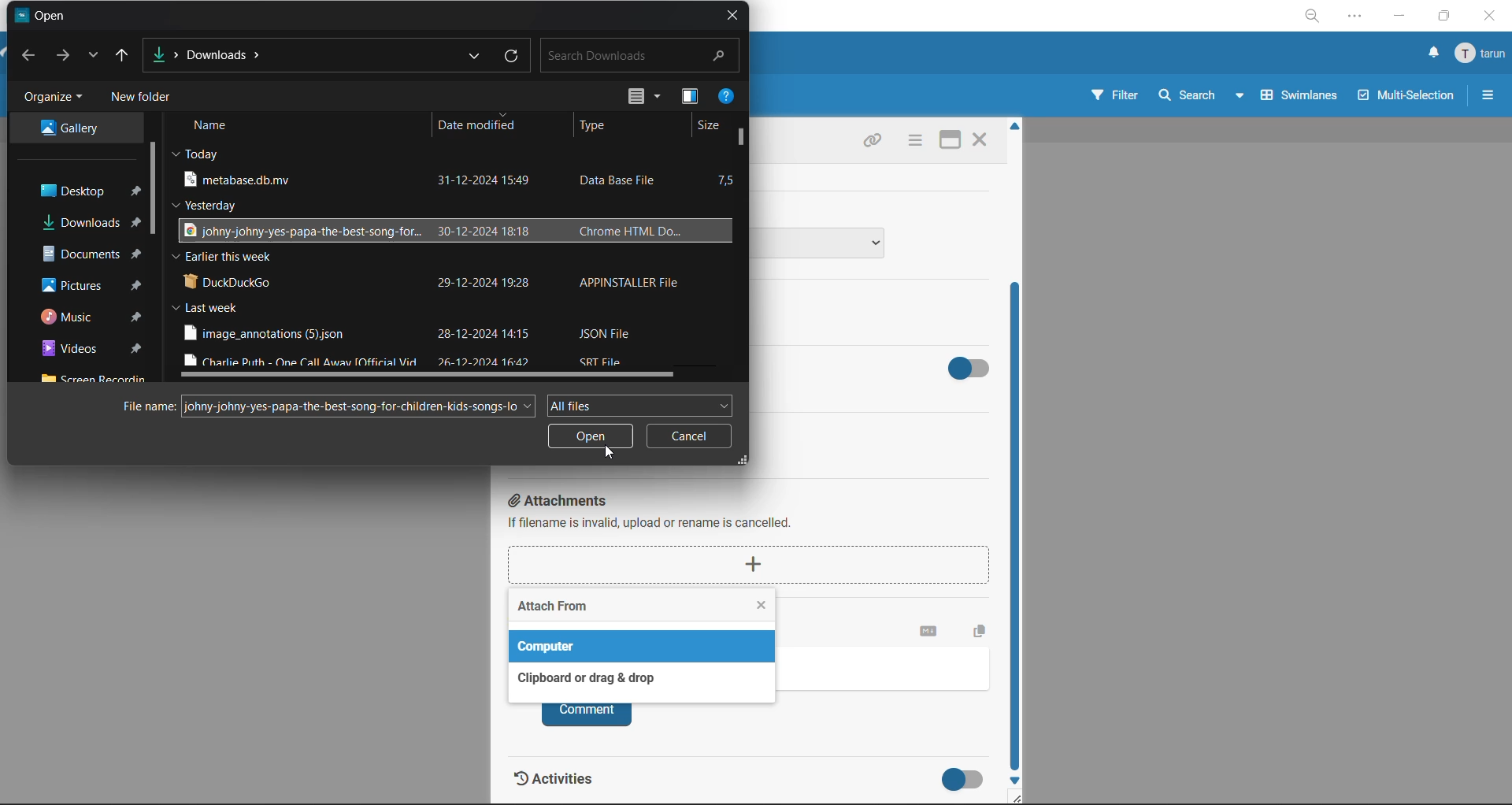 The image size is (1512, 805). I want to click on refresh, so click(511, 57).